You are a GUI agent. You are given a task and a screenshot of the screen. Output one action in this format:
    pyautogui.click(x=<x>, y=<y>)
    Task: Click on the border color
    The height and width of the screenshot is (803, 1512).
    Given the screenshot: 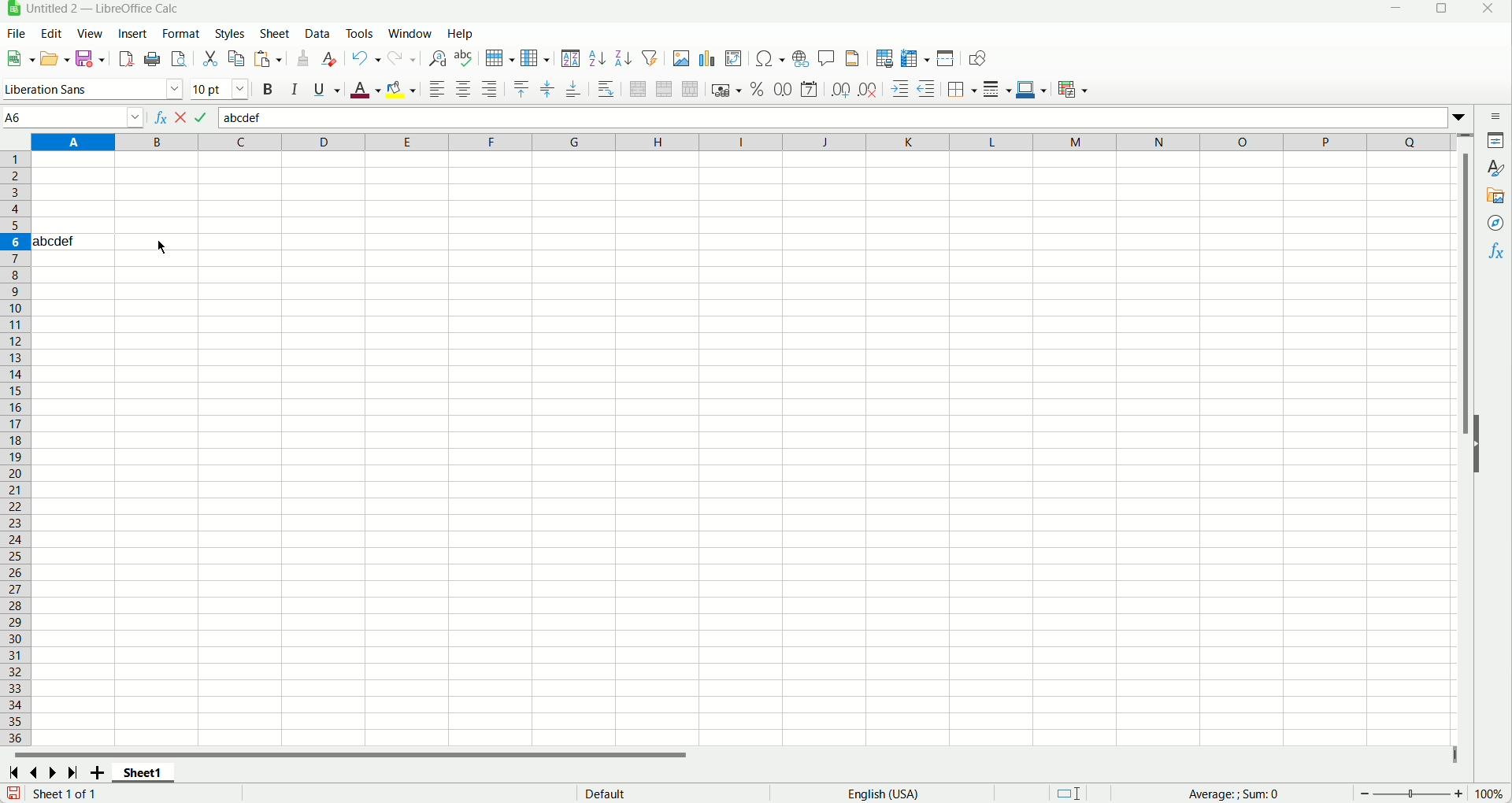 What is the action you would take?
    pyautogui.click(x=1032, y=88)
    